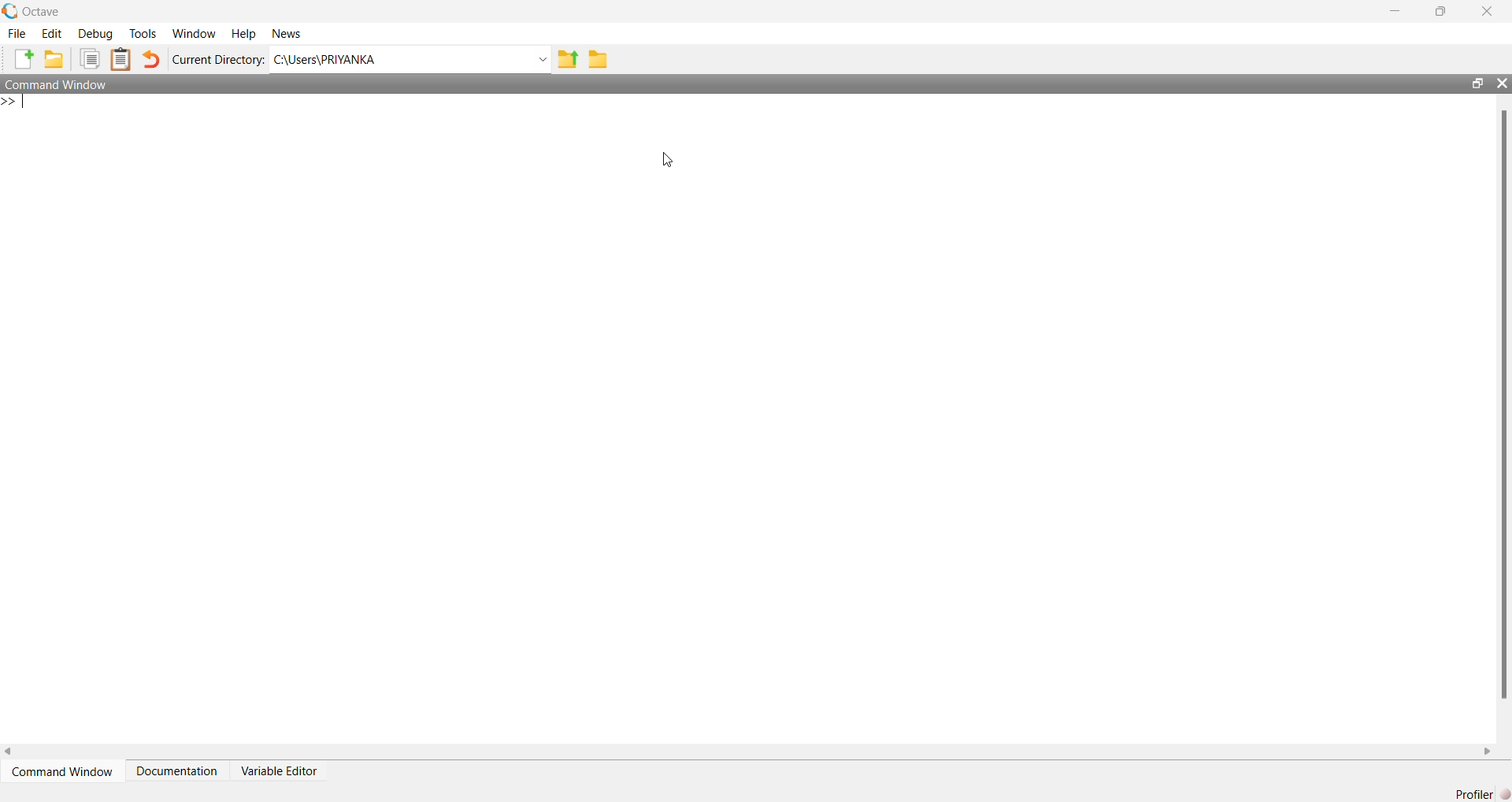  What do you see at coordinates (90, 59) in the screenshot?
I see `Duplicate` at bounding box center [90, 59].